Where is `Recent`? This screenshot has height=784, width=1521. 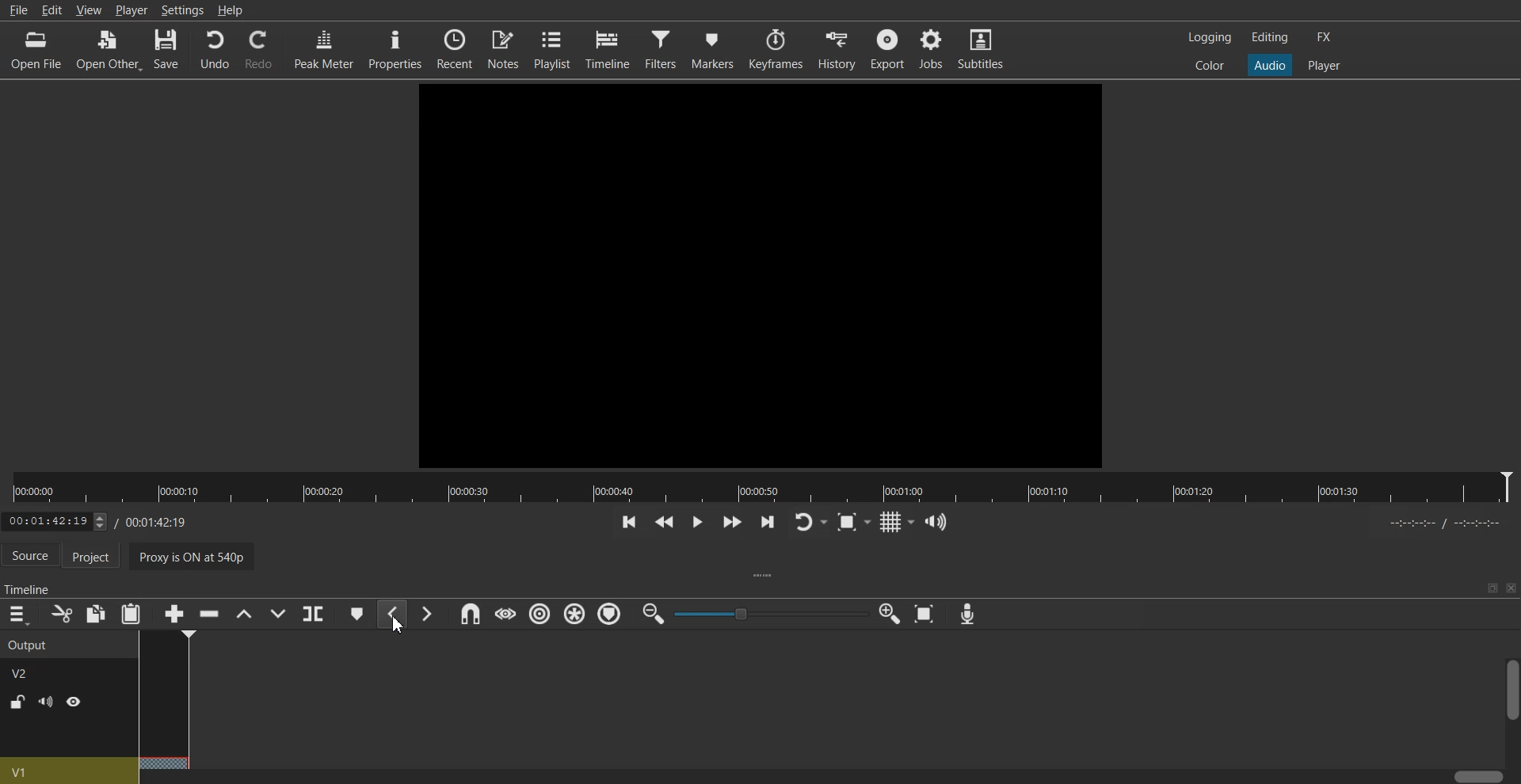 Recent is located at coordinates (452, 48).